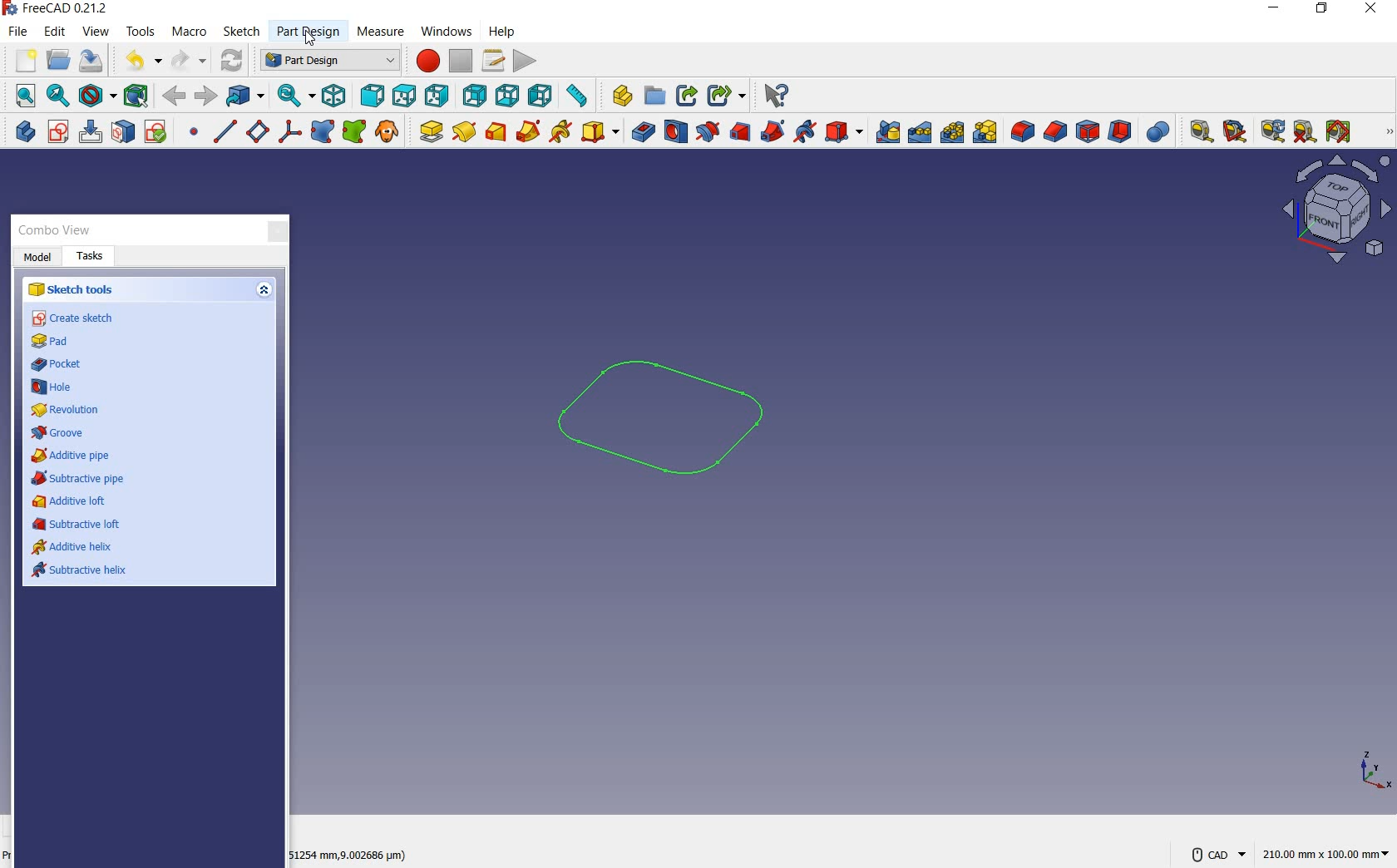  What do you see at coordinates (72, 288) in the screenshot?
I see `sketch tools` at bounding box center [72, 288].